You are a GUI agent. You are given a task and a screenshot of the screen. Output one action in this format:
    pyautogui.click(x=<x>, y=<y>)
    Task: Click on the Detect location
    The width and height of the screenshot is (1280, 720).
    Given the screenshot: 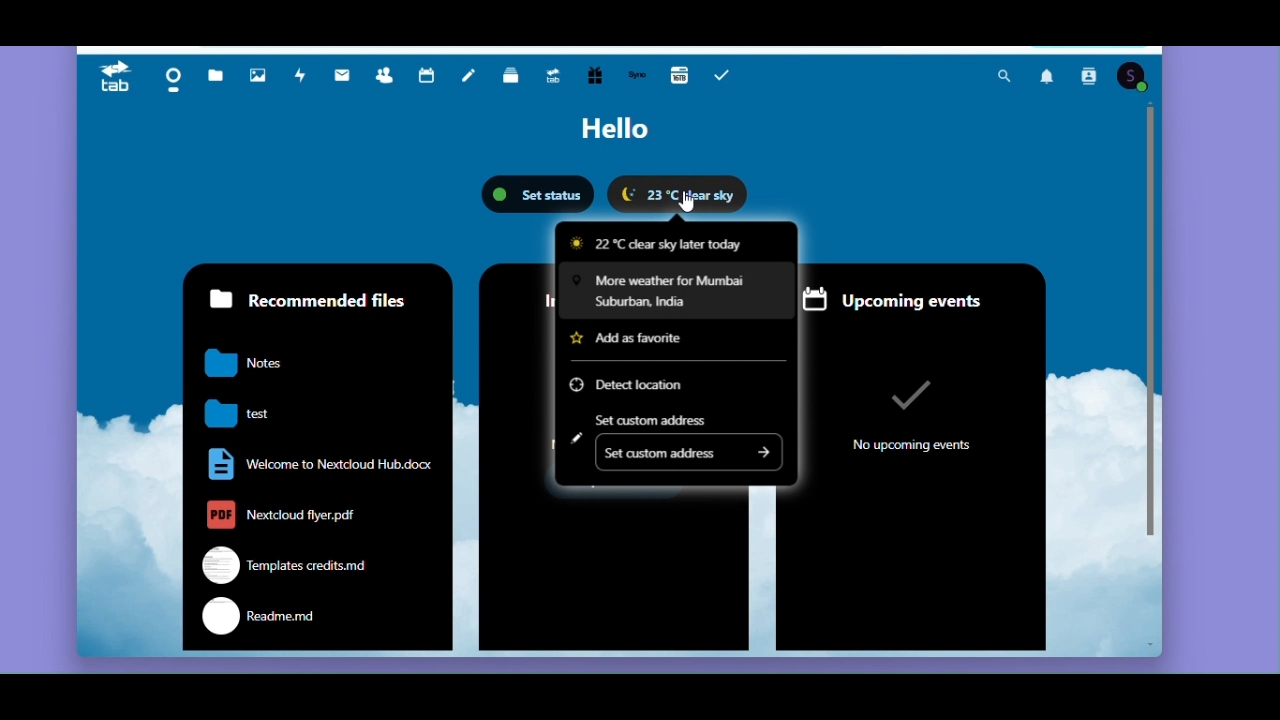 What is the action you would take?
    pyautogui.click(x=652, y=385)
    